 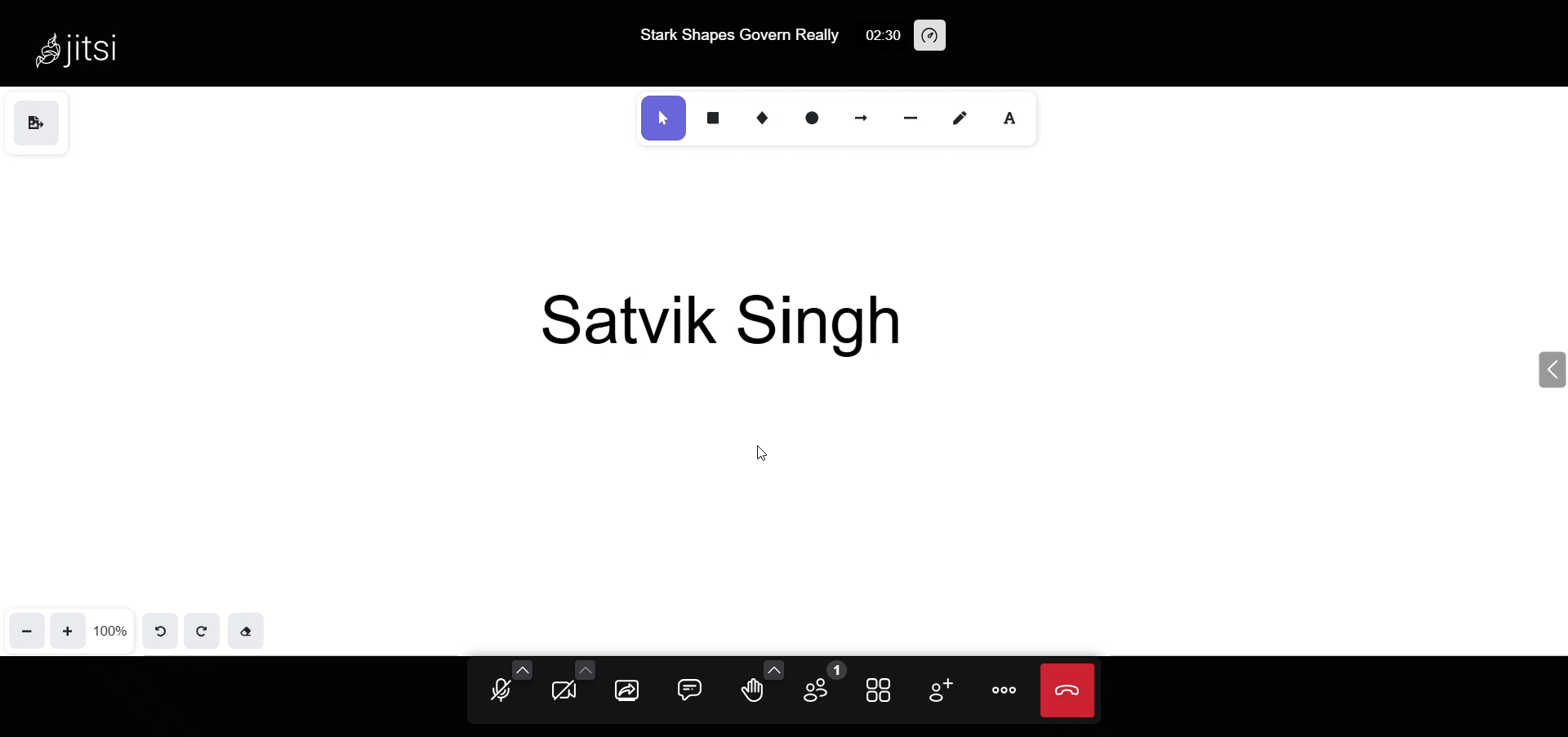 What do you see at coordinates (880, 36) in the screenshot?
I see `02:30` at bounding box center [880, 36].